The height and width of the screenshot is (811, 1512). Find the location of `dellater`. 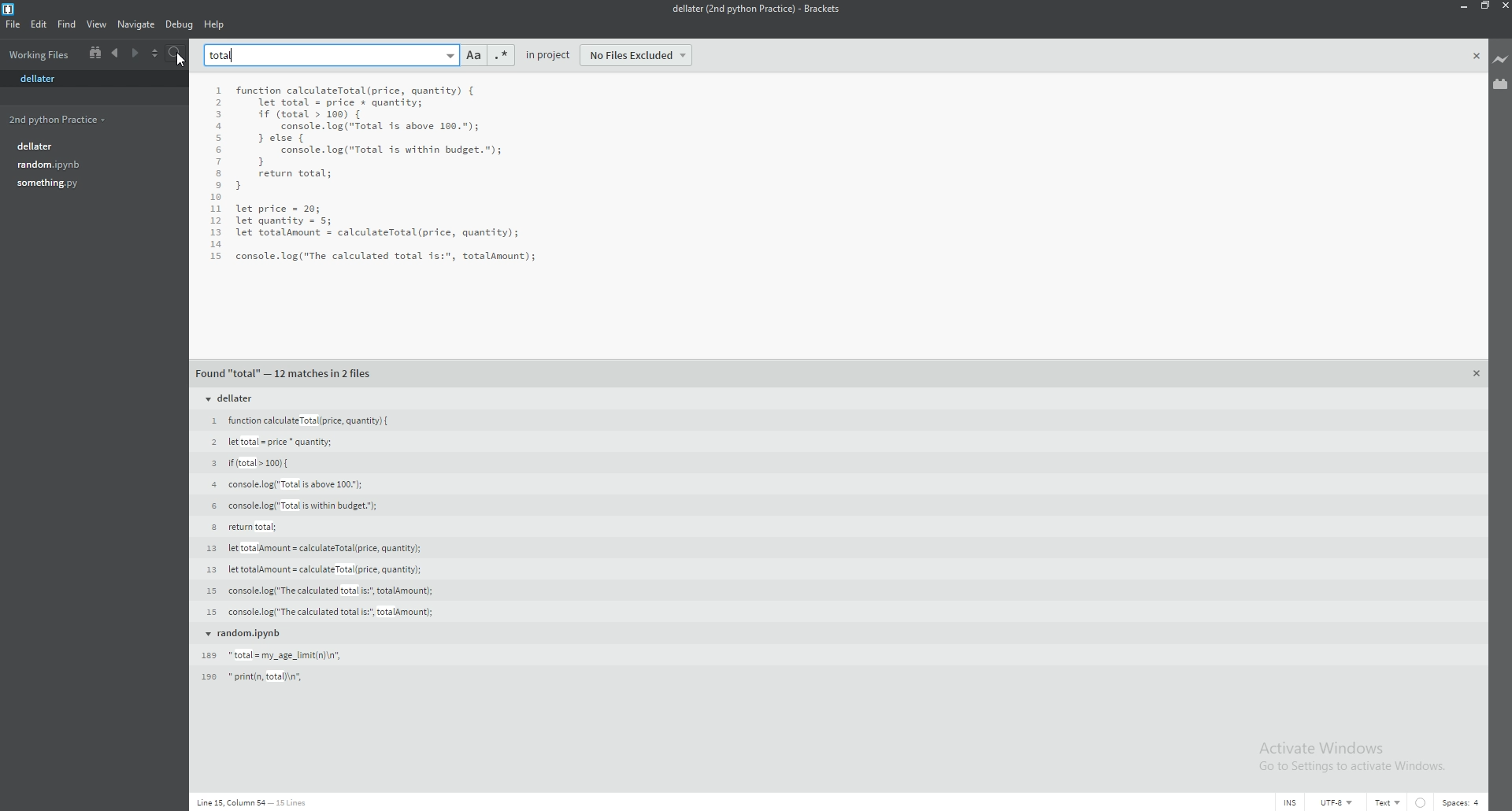

dellater is located at coordinates (234, 399).